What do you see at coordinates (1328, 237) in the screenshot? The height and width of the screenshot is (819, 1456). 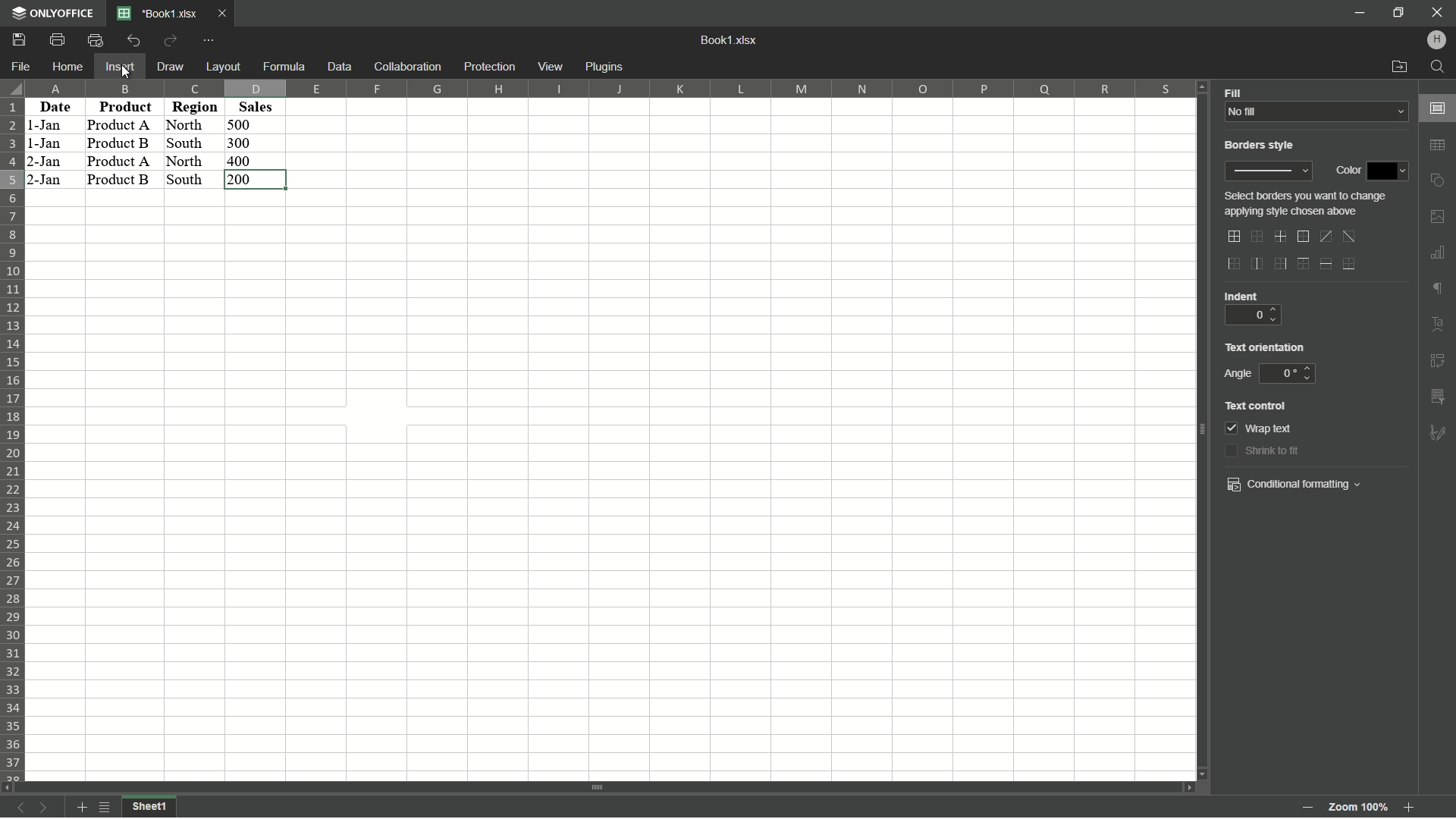 I see `diagonal up border` at bounding box center [1328, 237].